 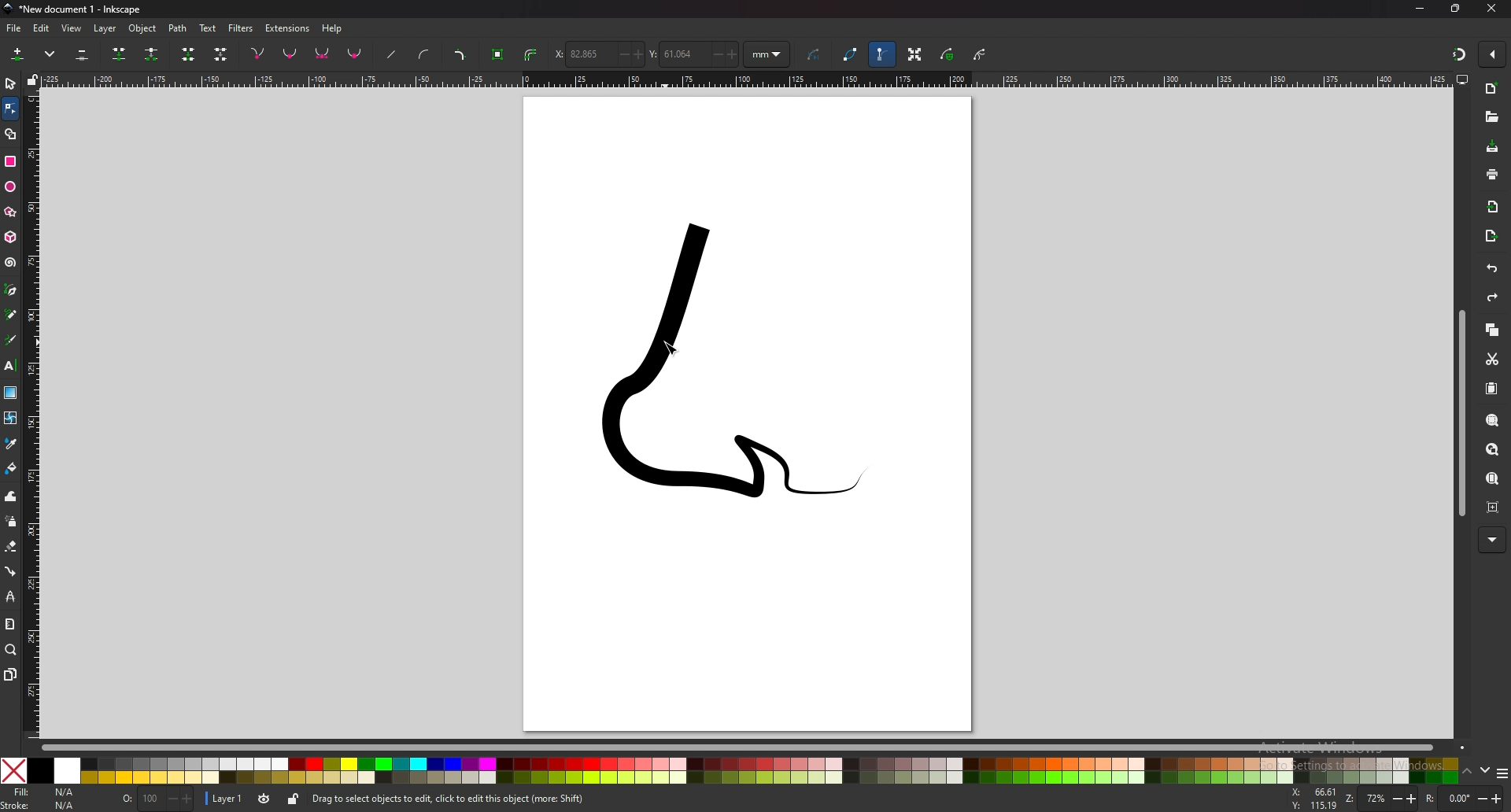 I want to click on layer, so click(x=107, y=28).